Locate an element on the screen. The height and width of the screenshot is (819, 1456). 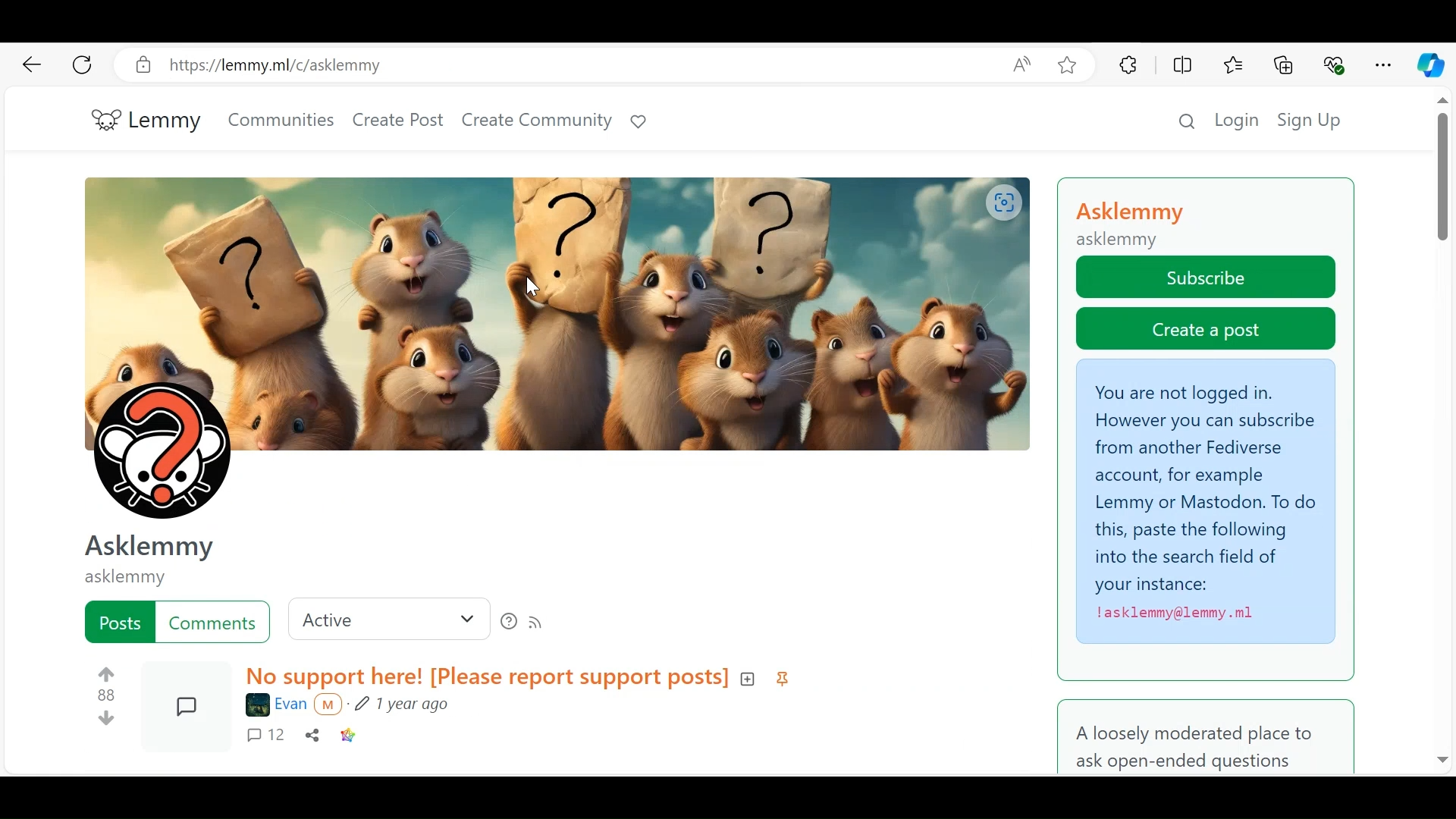
Comments is located at coordinates (213, 622).